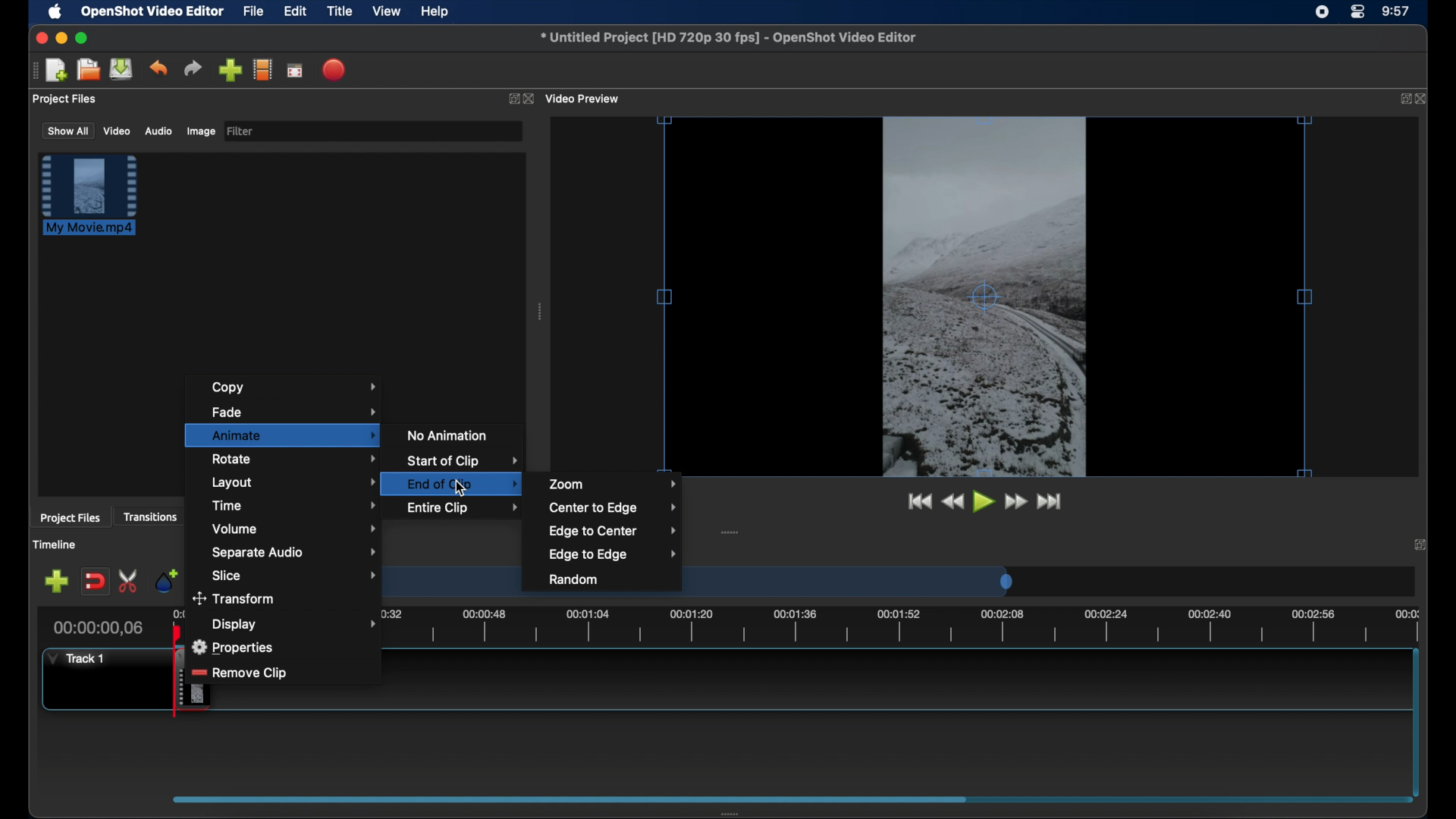 This screenshot has width=1456, height=819. What do you see at coordinates (295, 410) in the screenshot?
I see `fade menu` at bounding box center [295, 410].